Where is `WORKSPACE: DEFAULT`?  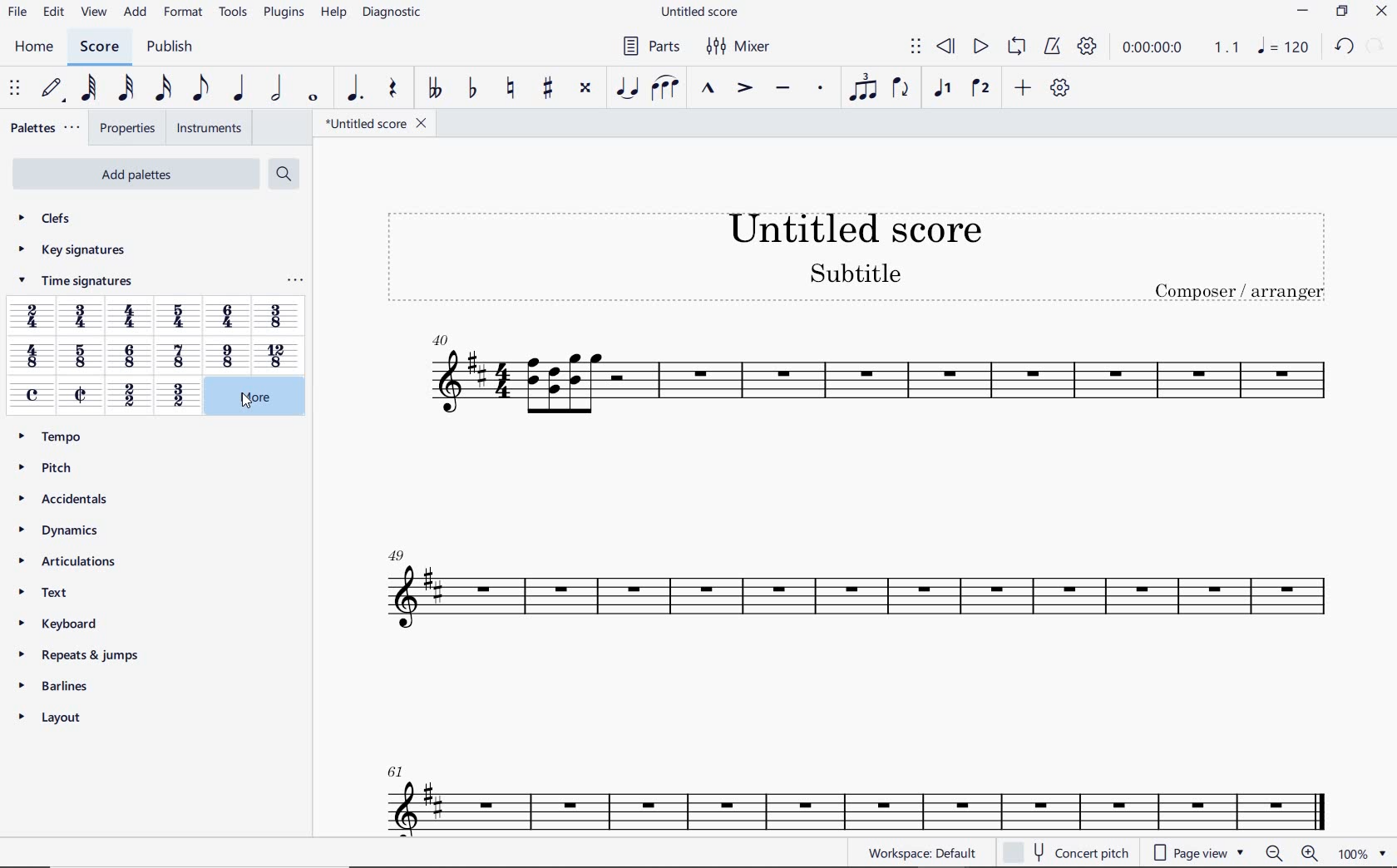 WORKSPACE: DEFAULT is located at coordinates (920, 853).